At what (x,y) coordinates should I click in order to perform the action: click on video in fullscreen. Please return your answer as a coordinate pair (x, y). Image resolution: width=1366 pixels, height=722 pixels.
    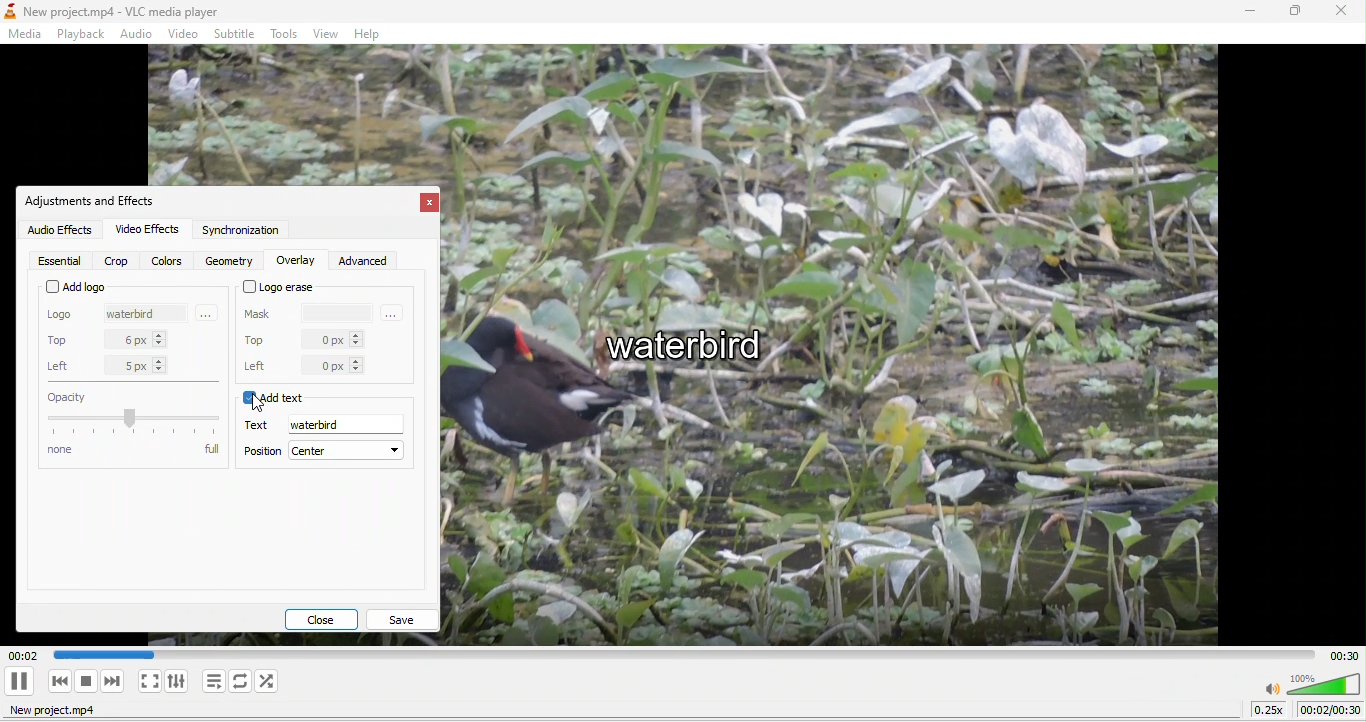
    Looking at the image, I should click on (150, 684).